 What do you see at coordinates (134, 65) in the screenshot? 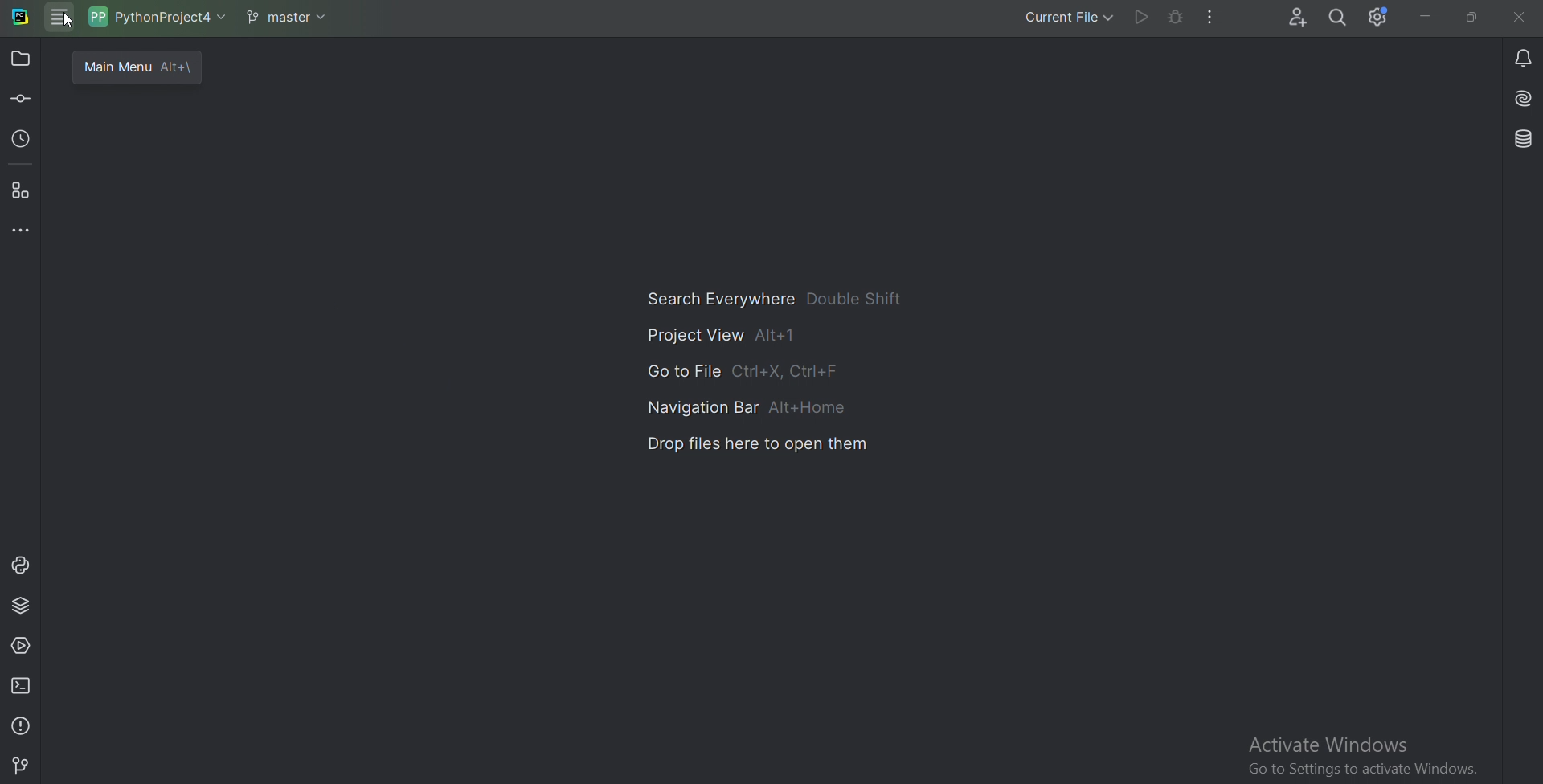
I see `Main menu` at bounding box center [134, 65].